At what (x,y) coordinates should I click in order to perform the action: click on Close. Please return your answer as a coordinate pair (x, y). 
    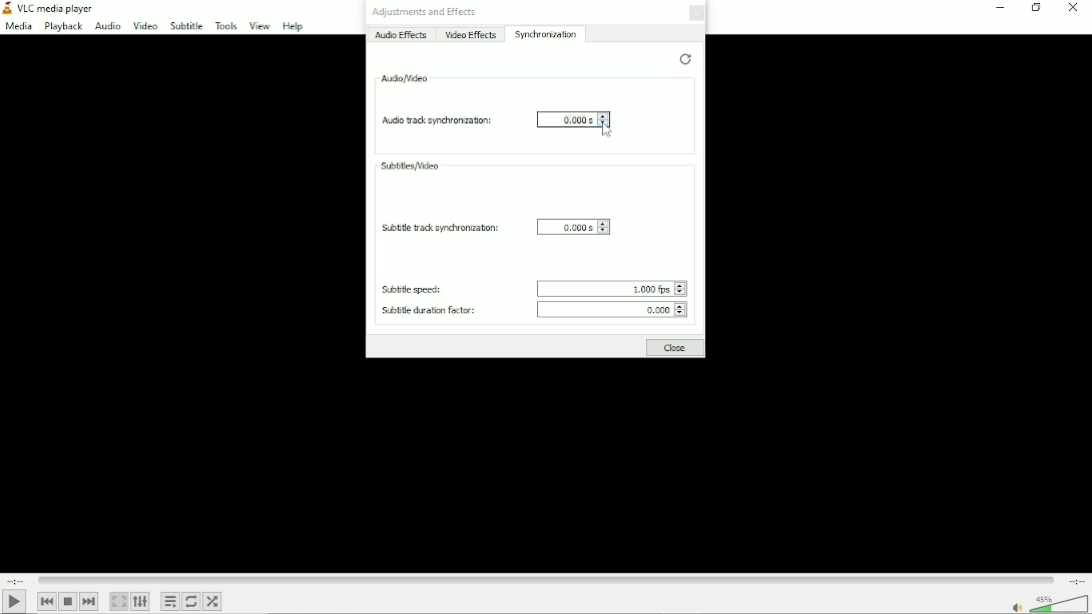
    Looking at the image, I should click on (674, 348).